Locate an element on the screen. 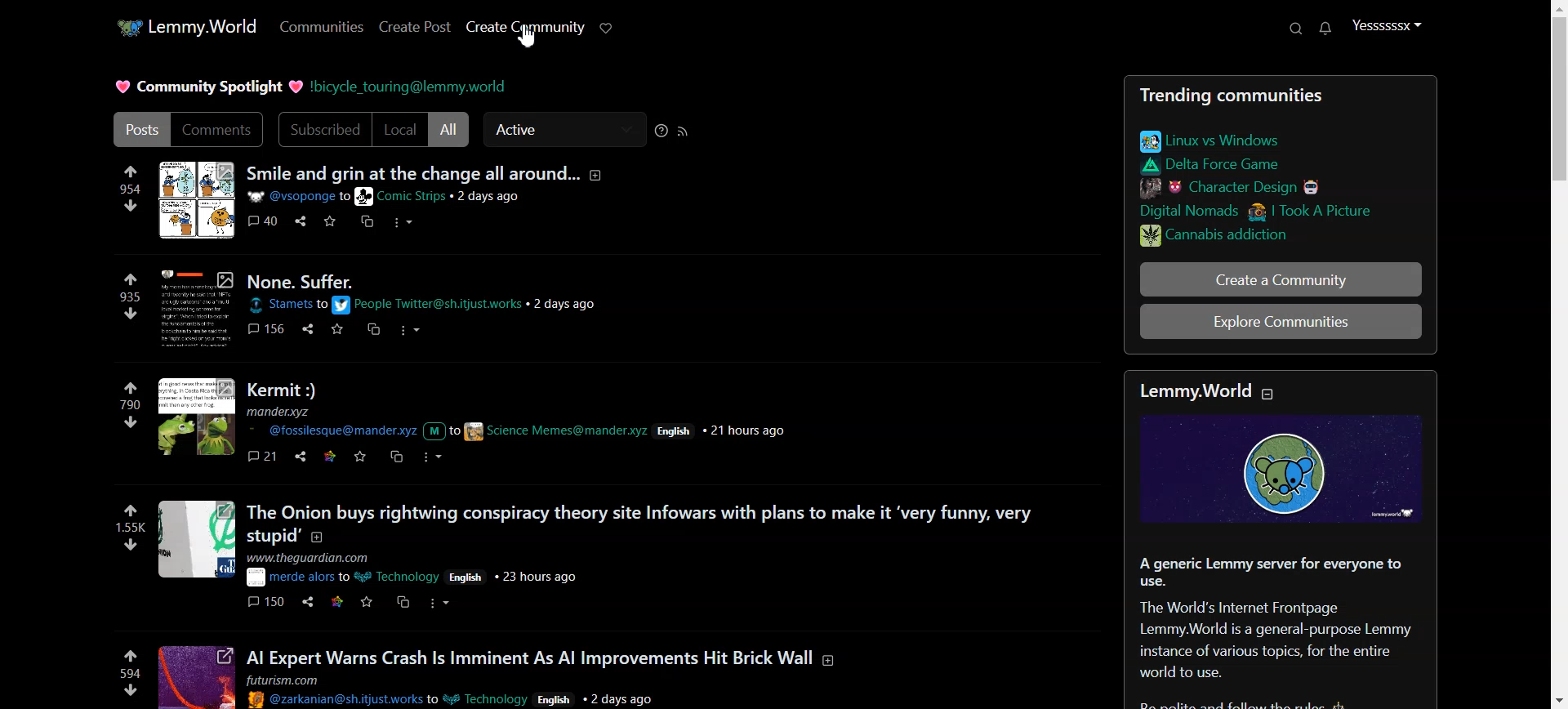 This screenshot has height=709, width=1568. age is located at coordinates (198, 677).